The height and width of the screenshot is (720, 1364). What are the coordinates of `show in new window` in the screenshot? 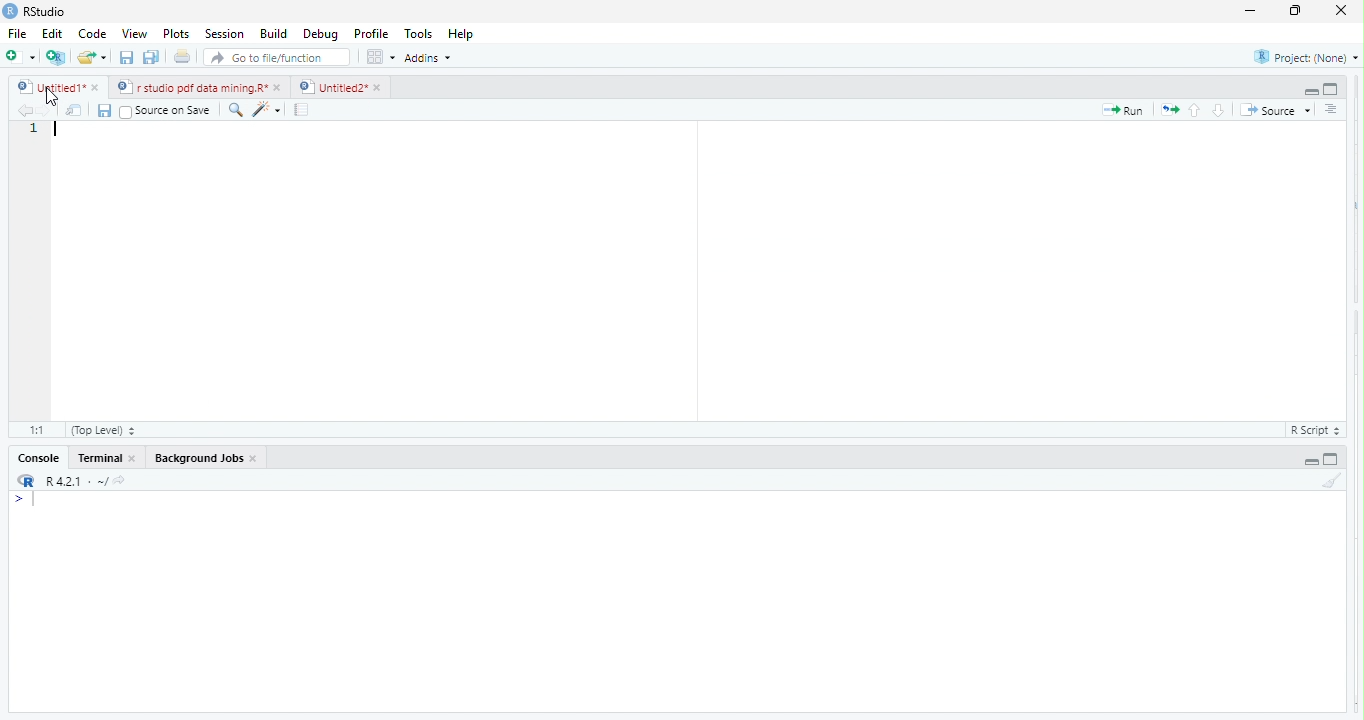 It's located at (75, 112).